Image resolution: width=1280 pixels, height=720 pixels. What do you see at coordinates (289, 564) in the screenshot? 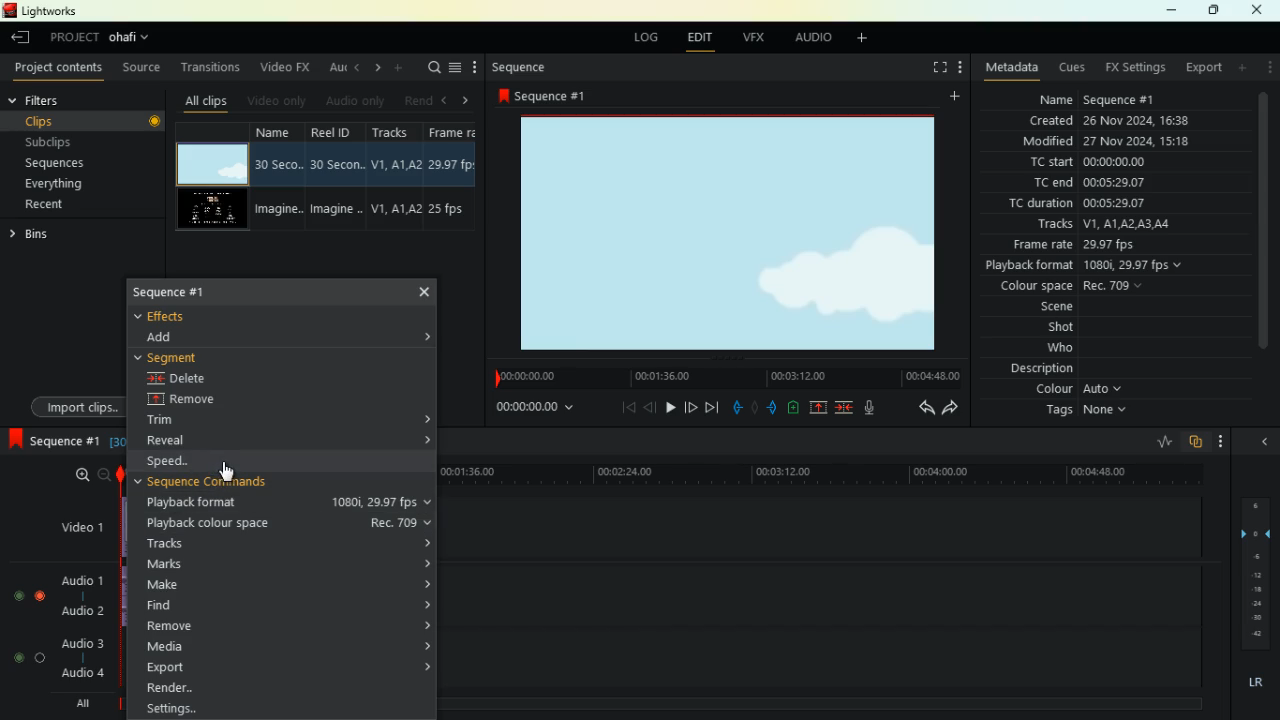
I see `marks` at bounding box center [289, 564].